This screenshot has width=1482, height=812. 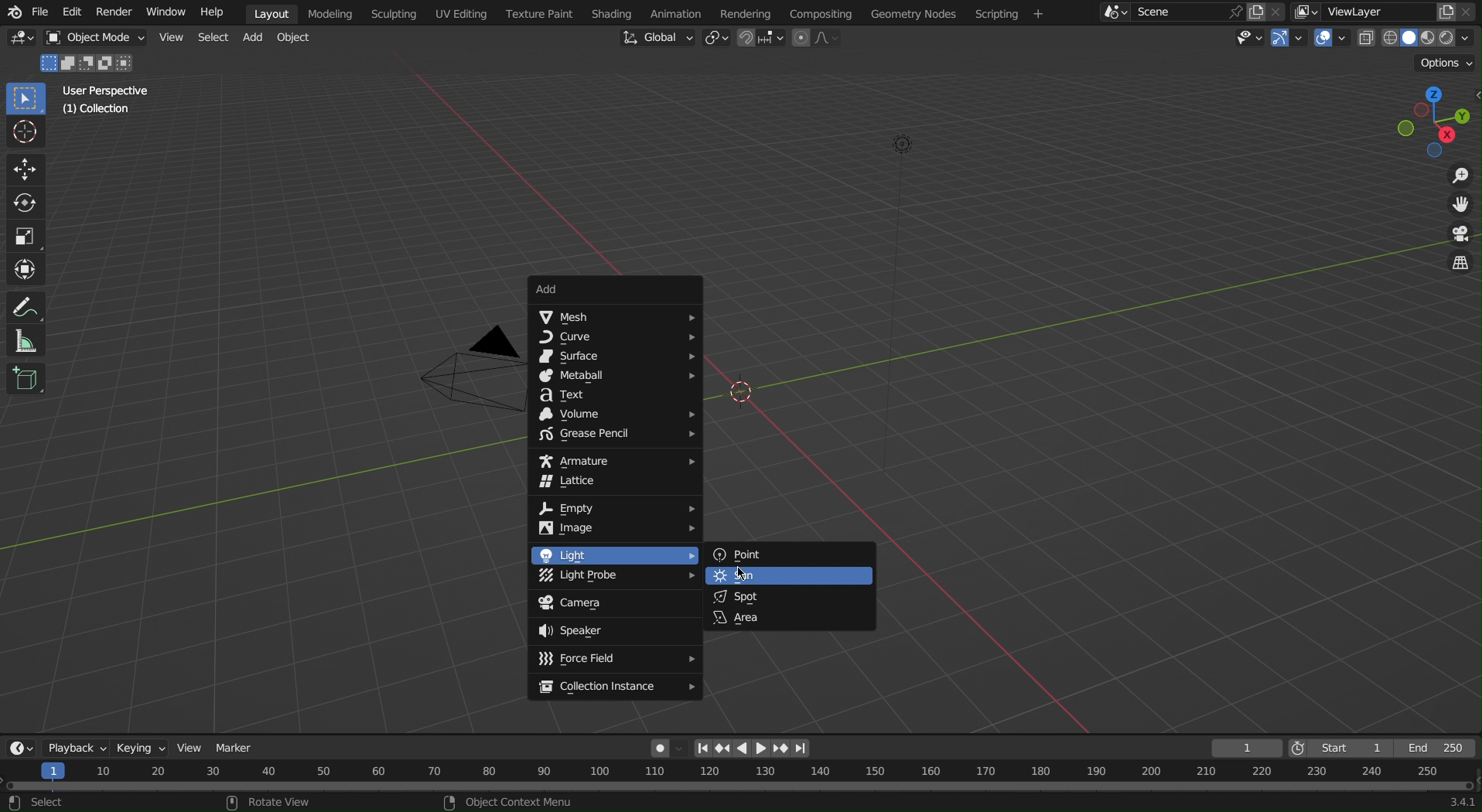 I want to click on Proportional Editing, so click(x=821, y=39).